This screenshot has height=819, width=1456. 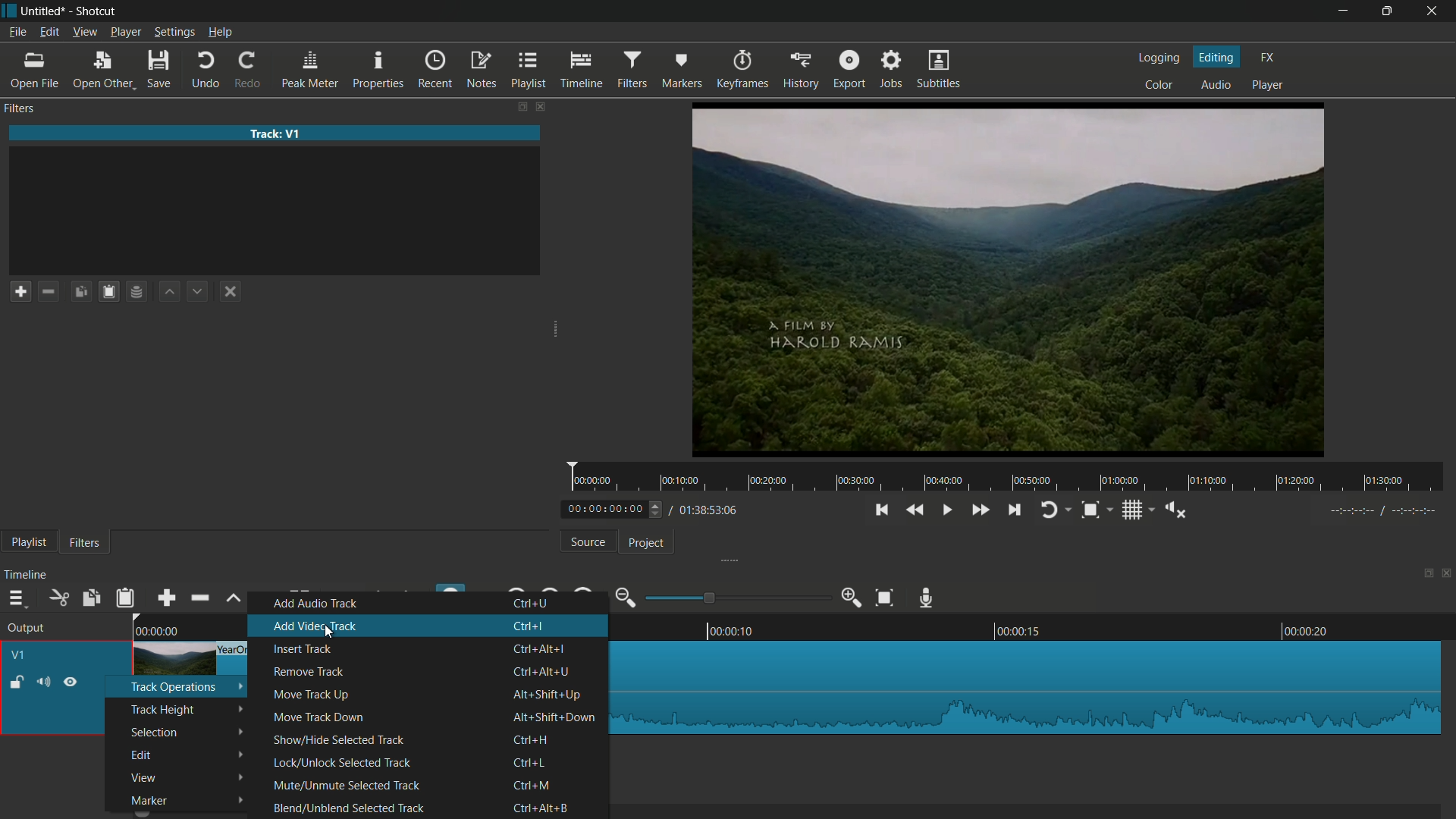 I want to click on change layout, so click(x=521, y=106).